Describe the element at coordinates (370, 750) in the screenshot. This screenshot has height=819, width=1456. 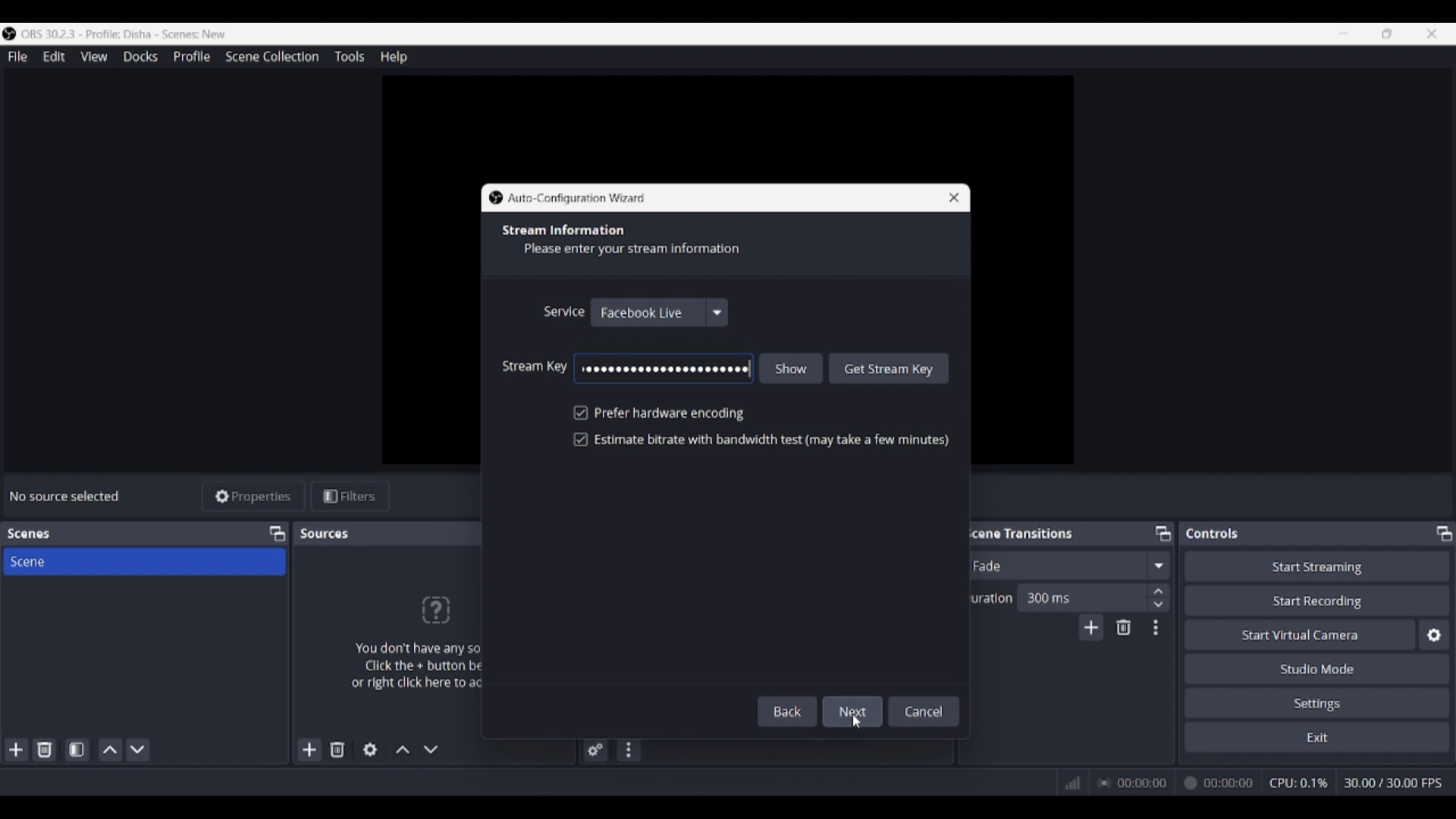
I see `Open source properties` at that location.